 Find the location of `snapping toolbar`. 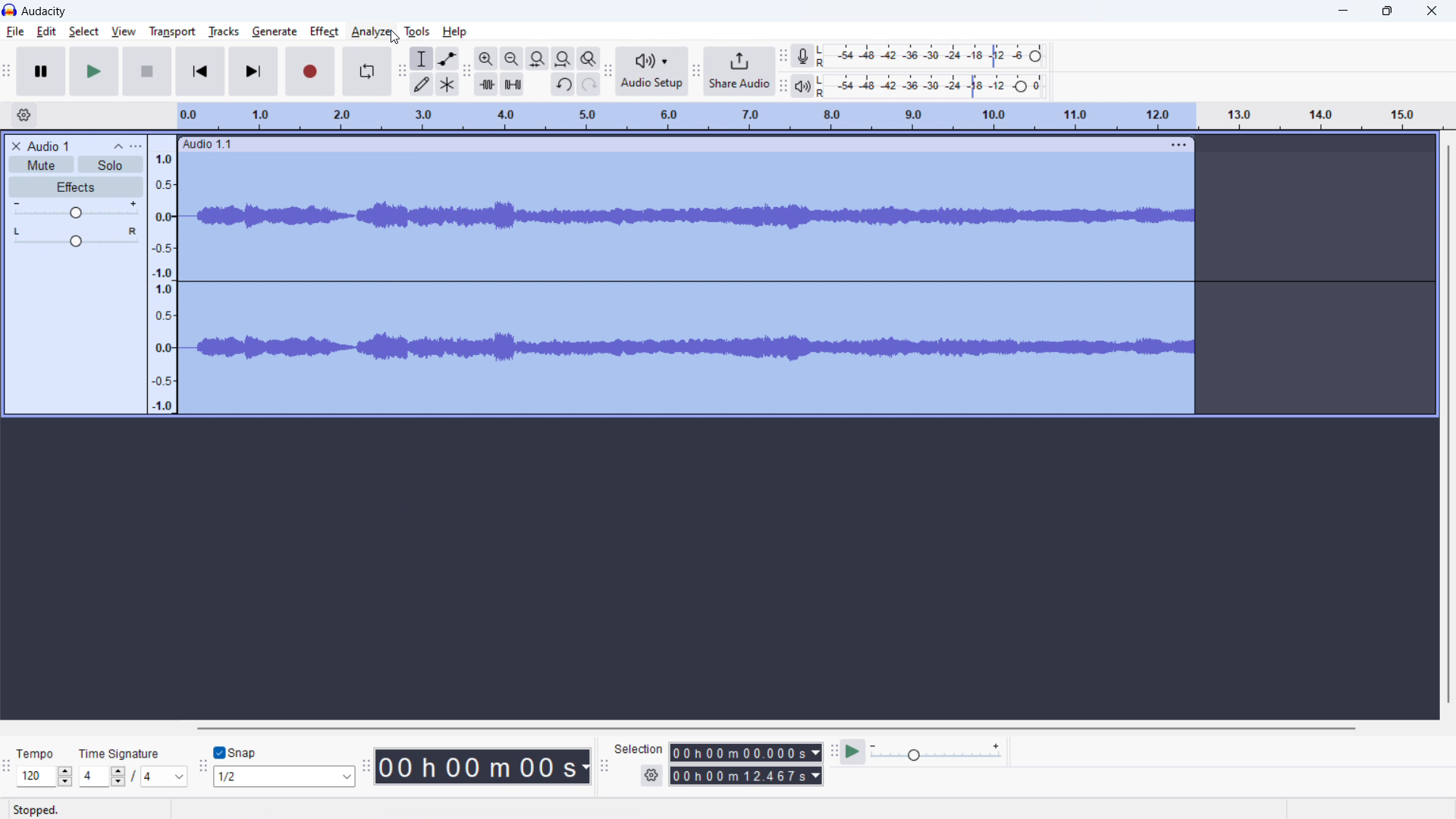

snapping toolbar is located at coordinates (202, 766).